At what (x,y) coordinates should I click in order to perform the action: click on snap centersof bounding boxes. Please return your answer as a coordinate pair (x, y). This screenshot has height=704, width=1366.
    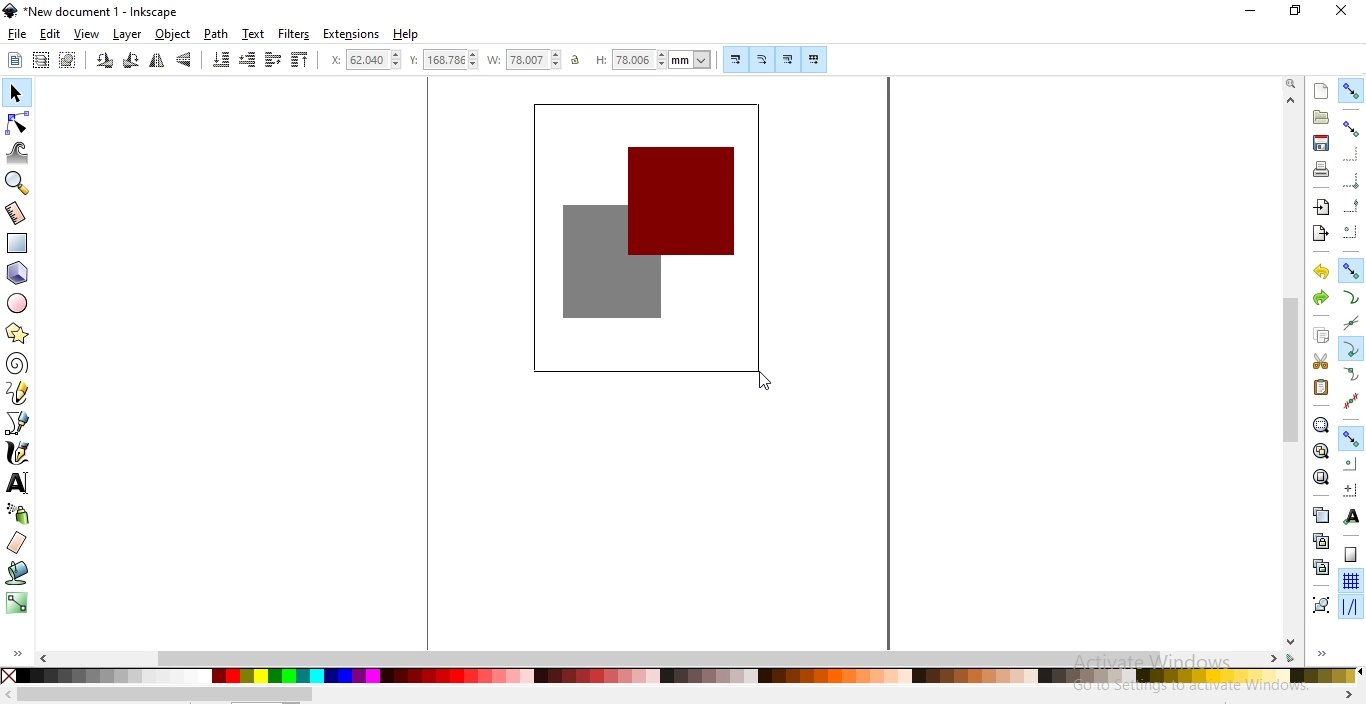
    Looking at the image, I should click on (1349, 233).